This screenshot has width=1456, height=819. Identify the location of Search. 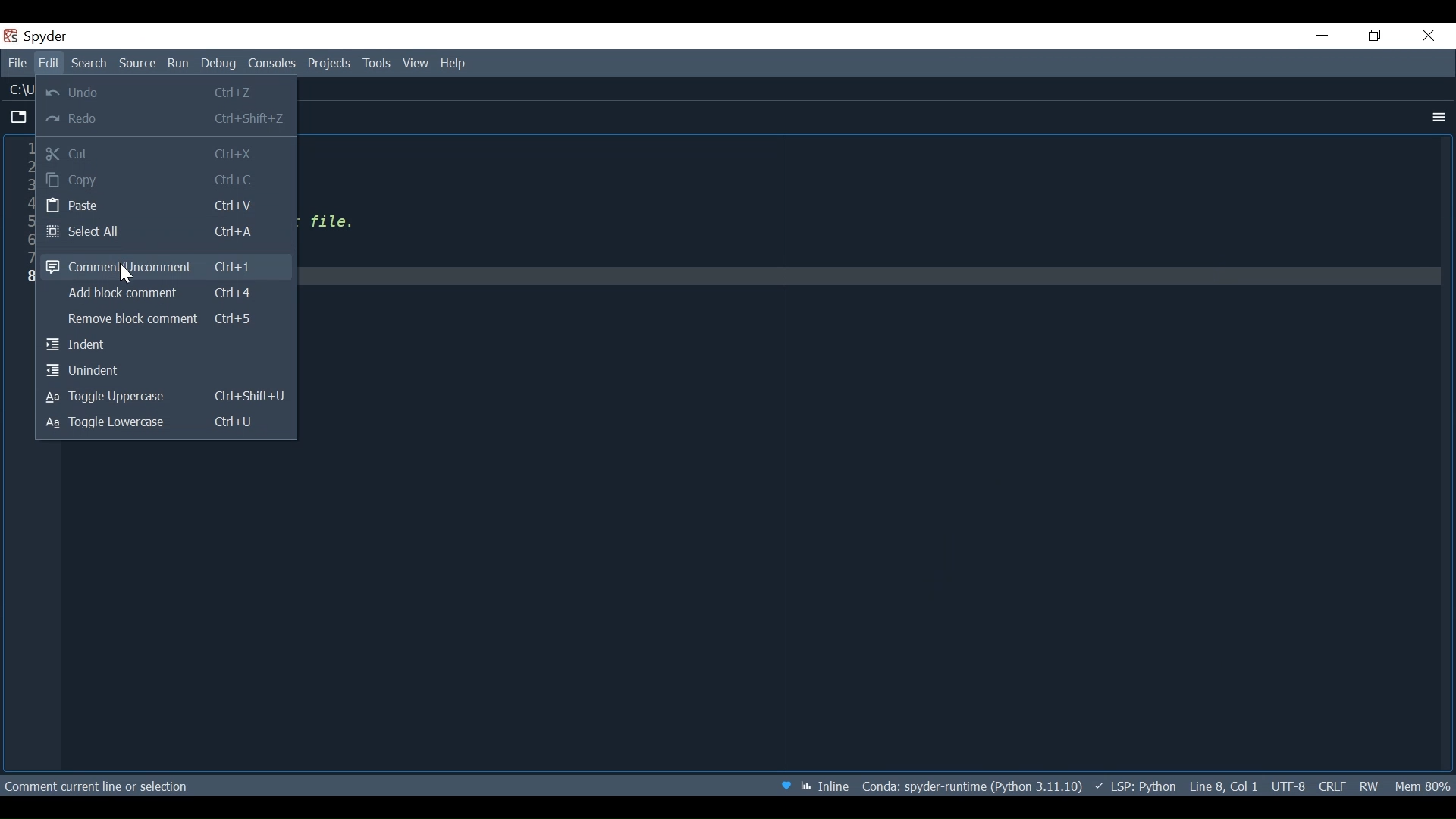
(92, 63).